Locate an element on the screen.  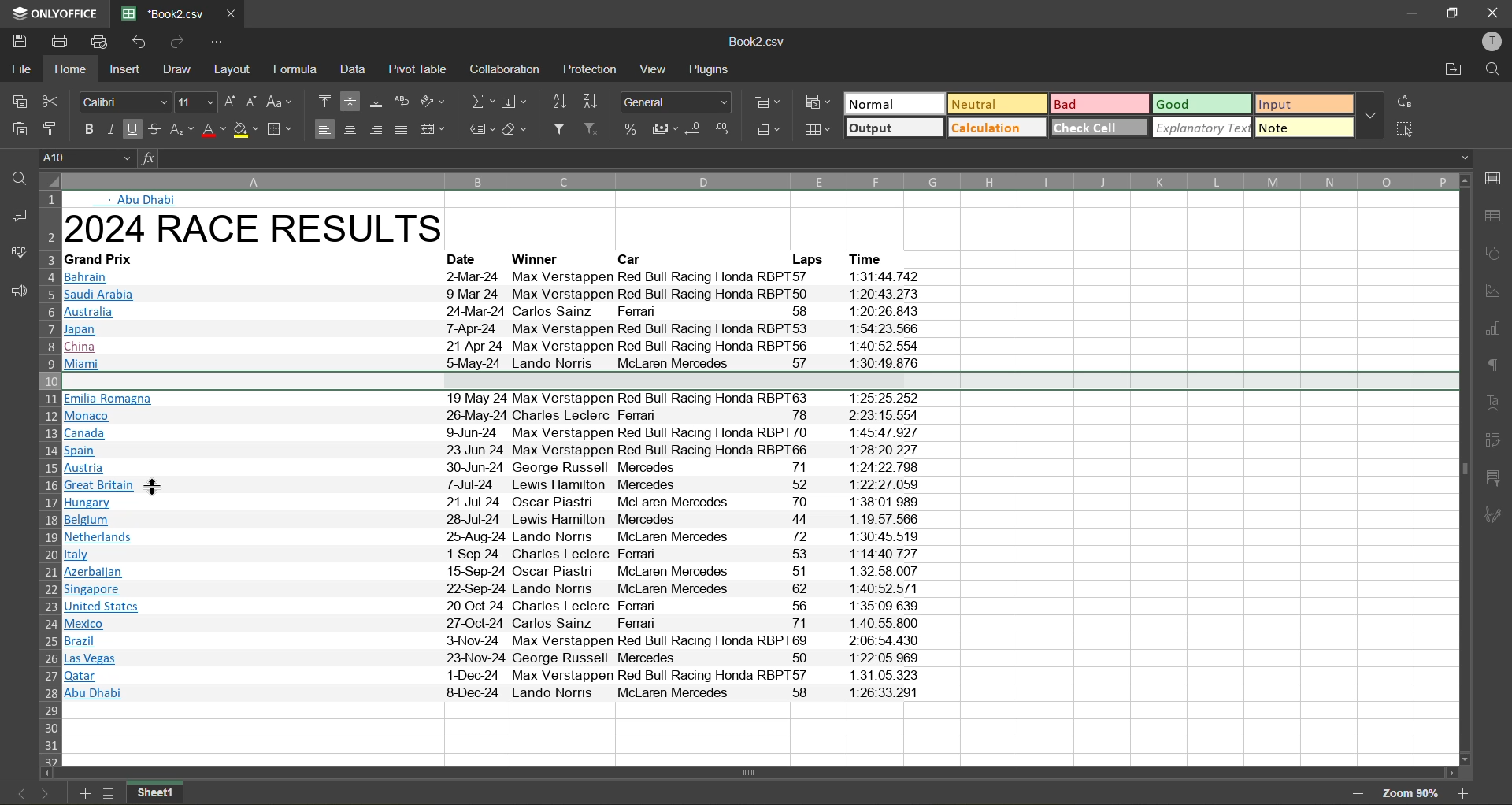
explanatory text is located at coordinates (1202, 128).